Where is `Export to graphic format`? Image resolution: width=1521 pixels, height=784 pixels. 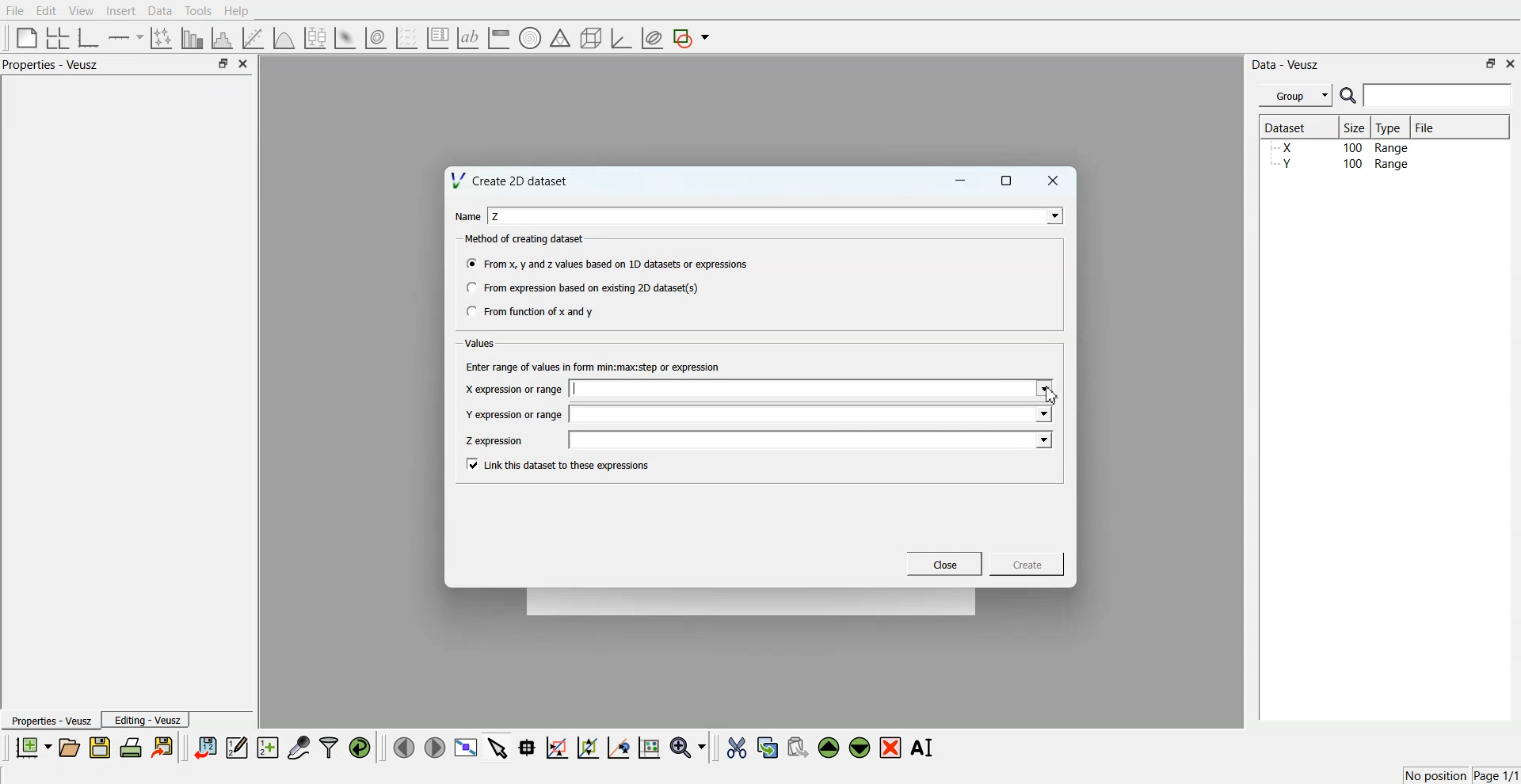 Export to graphic format is located at coordinates (164, 747).